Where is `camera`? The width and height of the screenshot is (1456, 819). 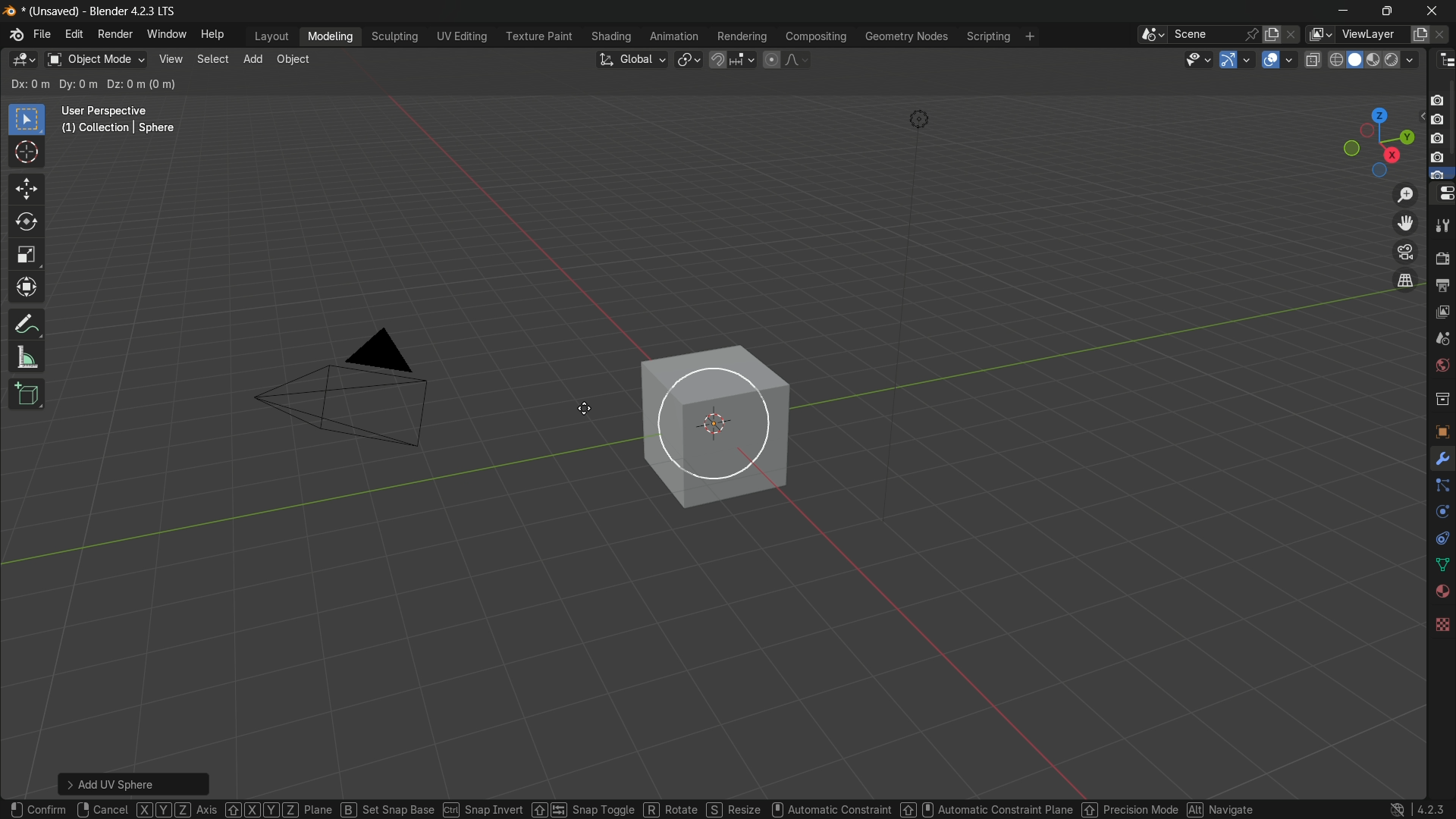
camera is located at coordinates (353, 395).